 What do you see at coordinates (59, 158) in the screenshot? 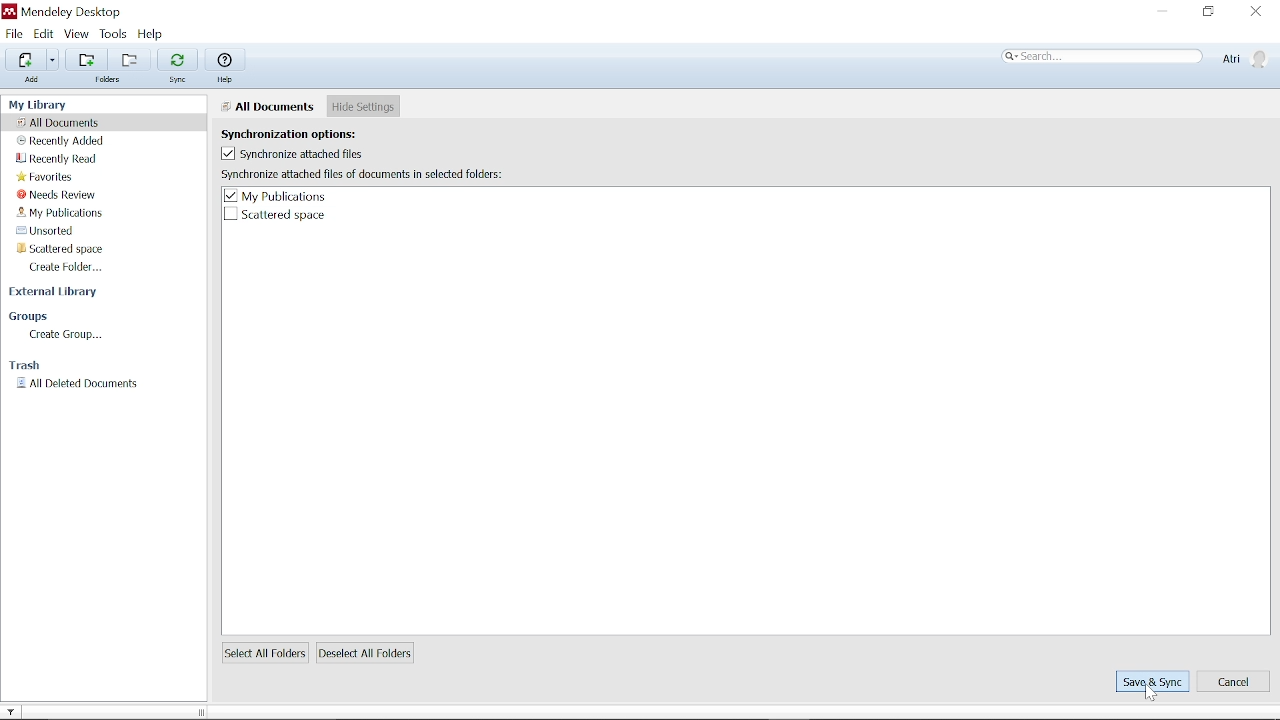
I see `Recently read` at bounding box center [59, 158].